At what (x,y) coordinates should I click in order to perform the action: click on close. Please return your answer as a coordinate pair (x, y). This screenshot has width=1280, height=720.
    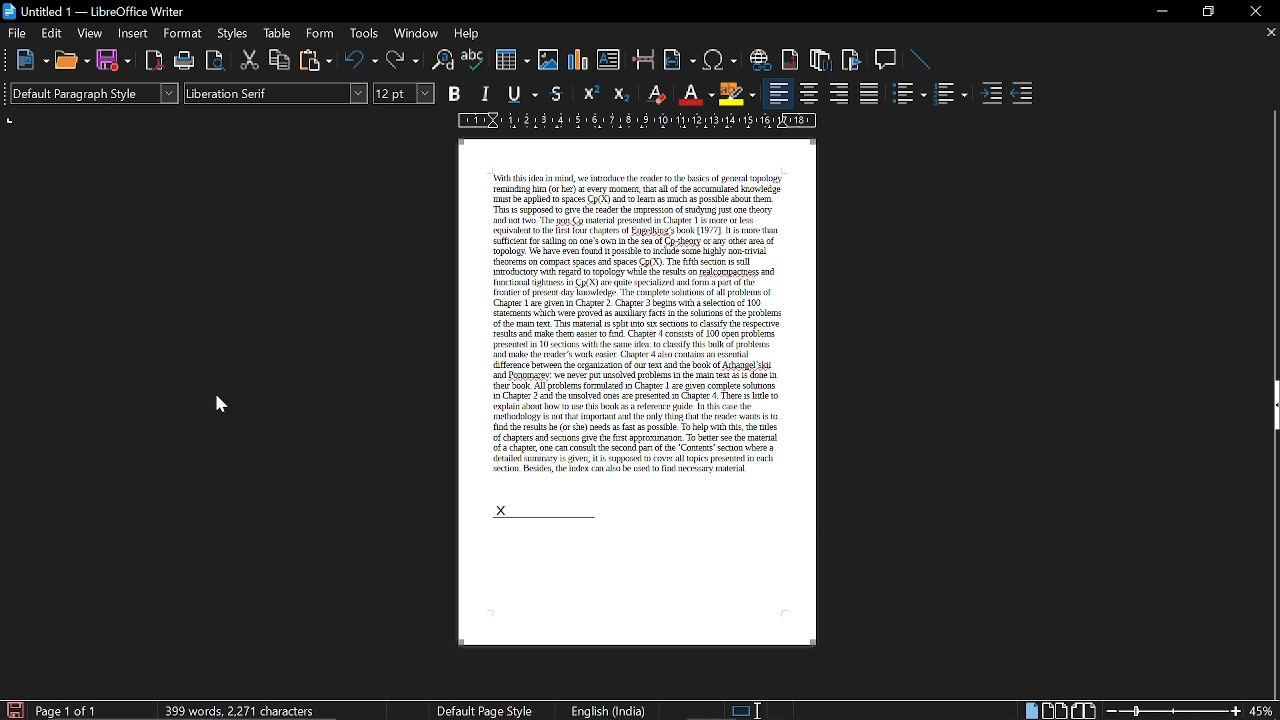
    Looking at the image, I should click on (1253, 12).